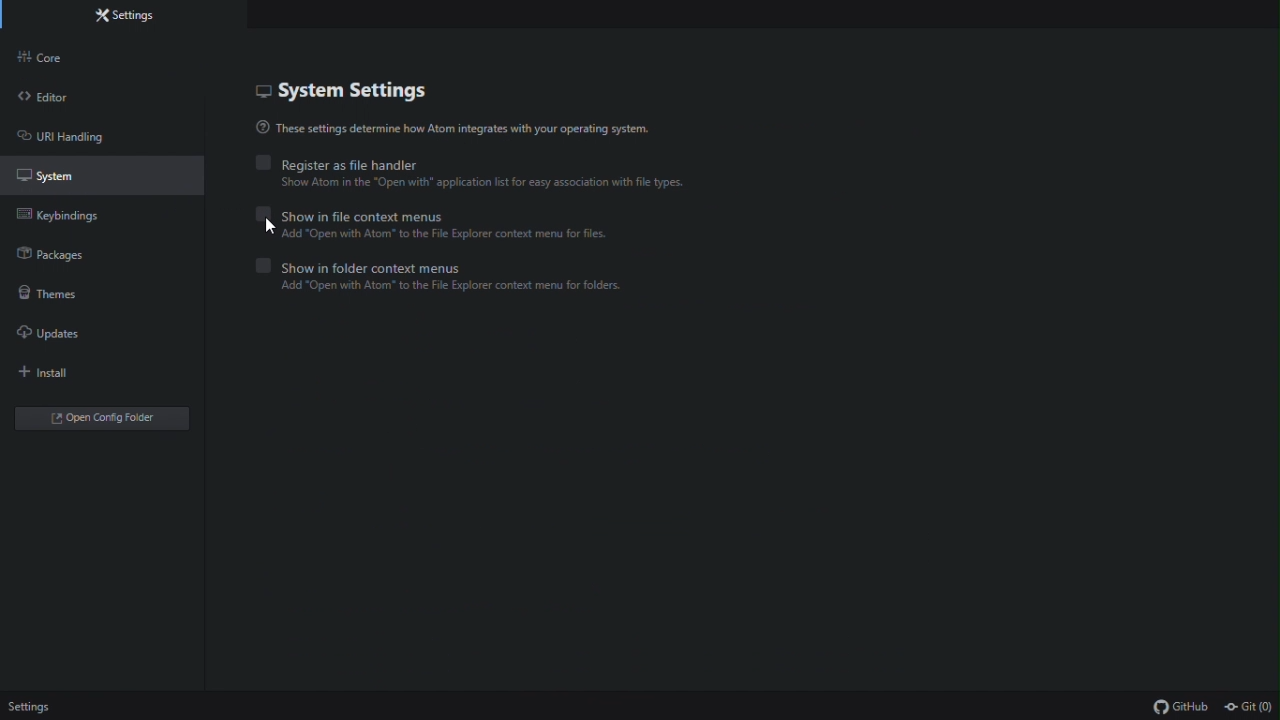  I want to click on Core, so click(63, 58).